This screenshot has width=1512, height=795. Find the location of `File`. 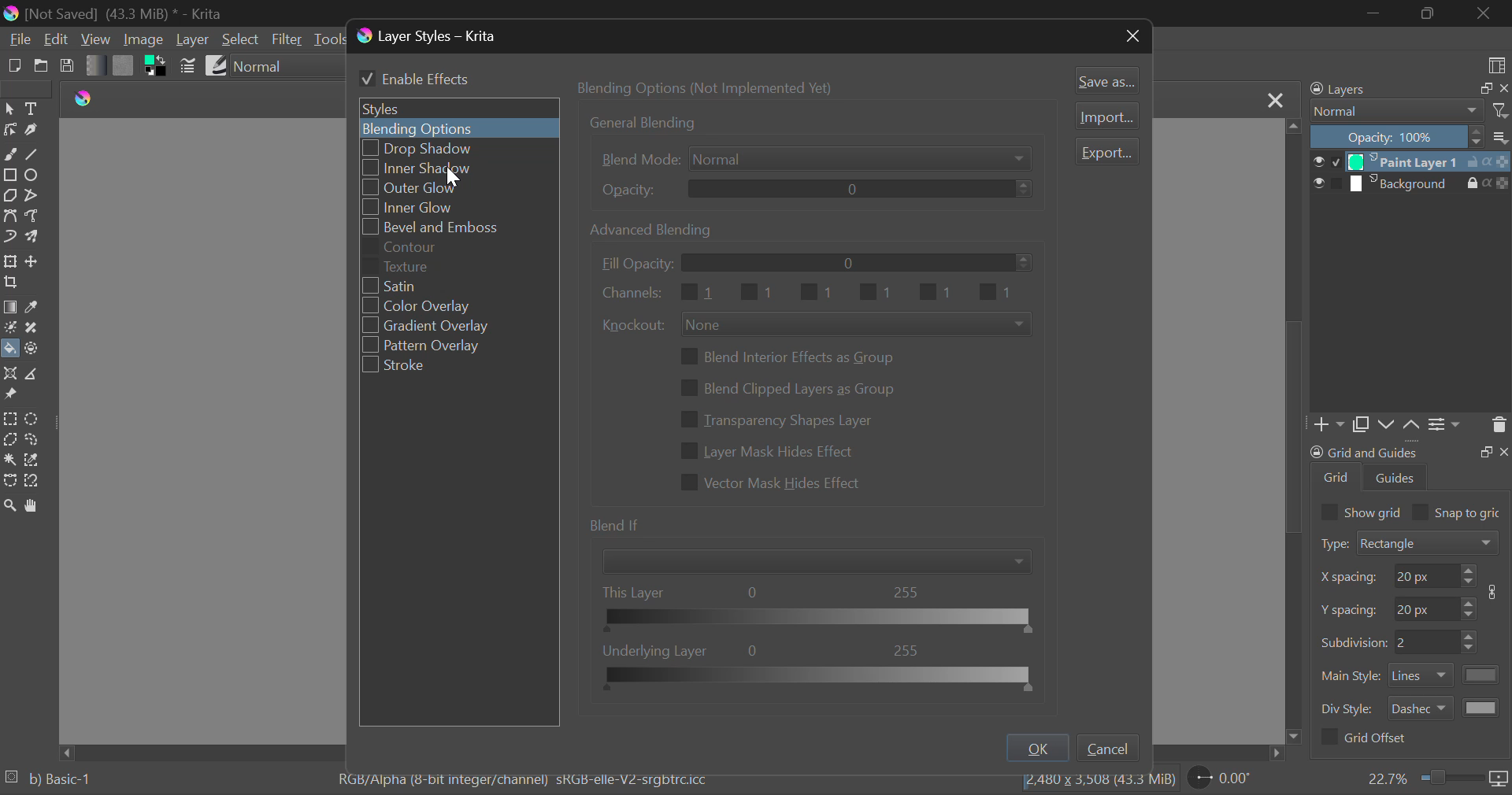

File is located at coordinates (19, 42).